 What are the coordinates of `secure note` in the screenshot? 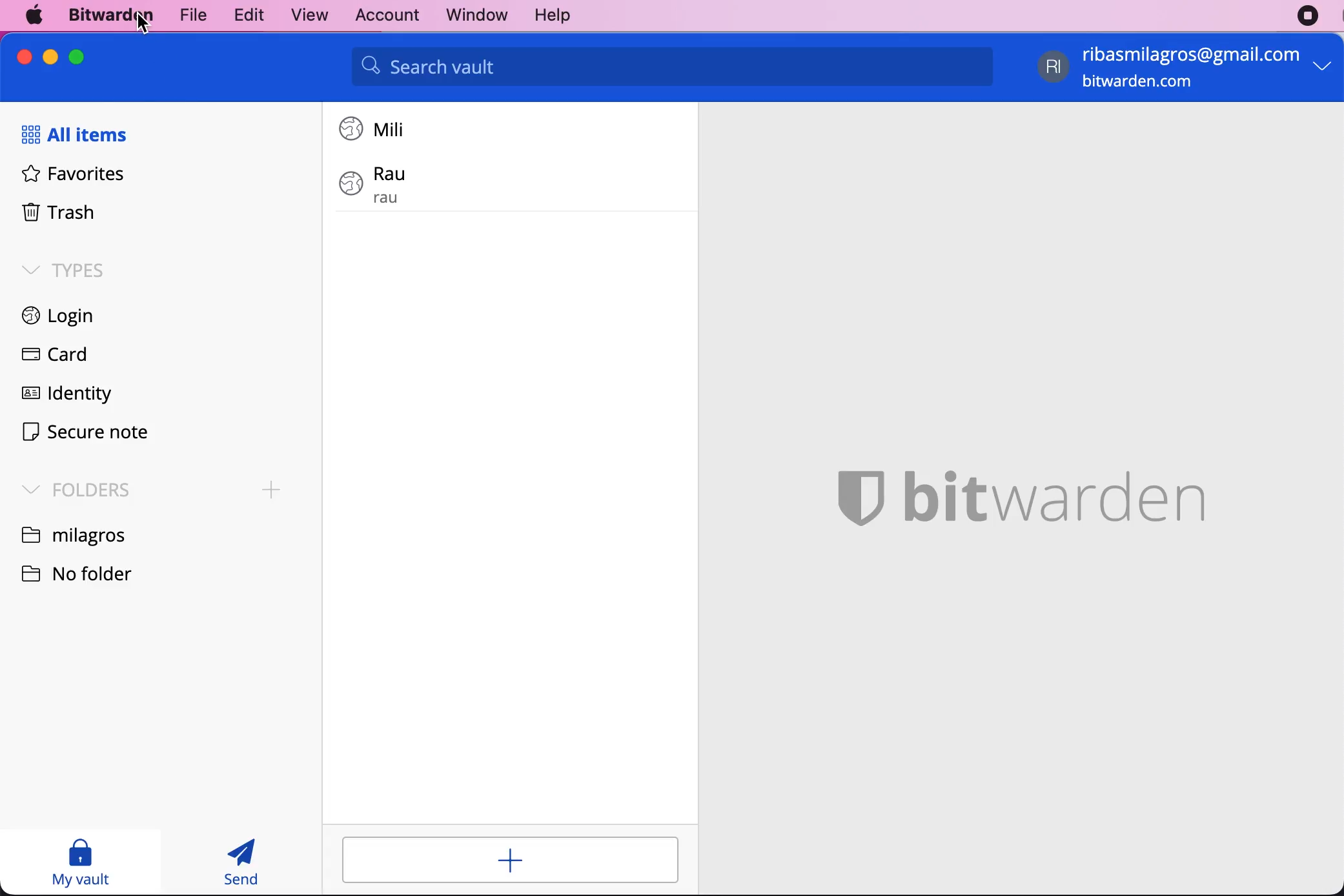 It's located at (85, 434).